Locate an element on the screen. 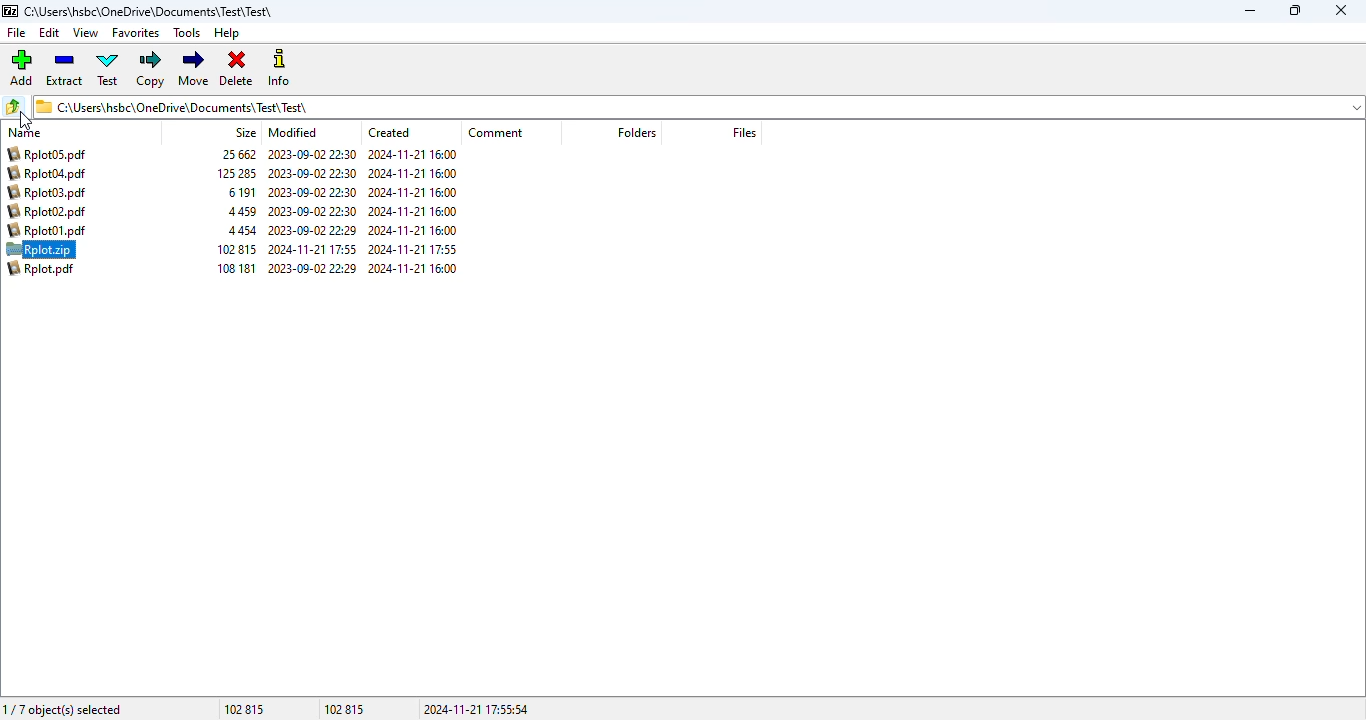 This screenshot has height=720, width=1366. 2024-11-21 17:55 is located at coordinates (311, 250).